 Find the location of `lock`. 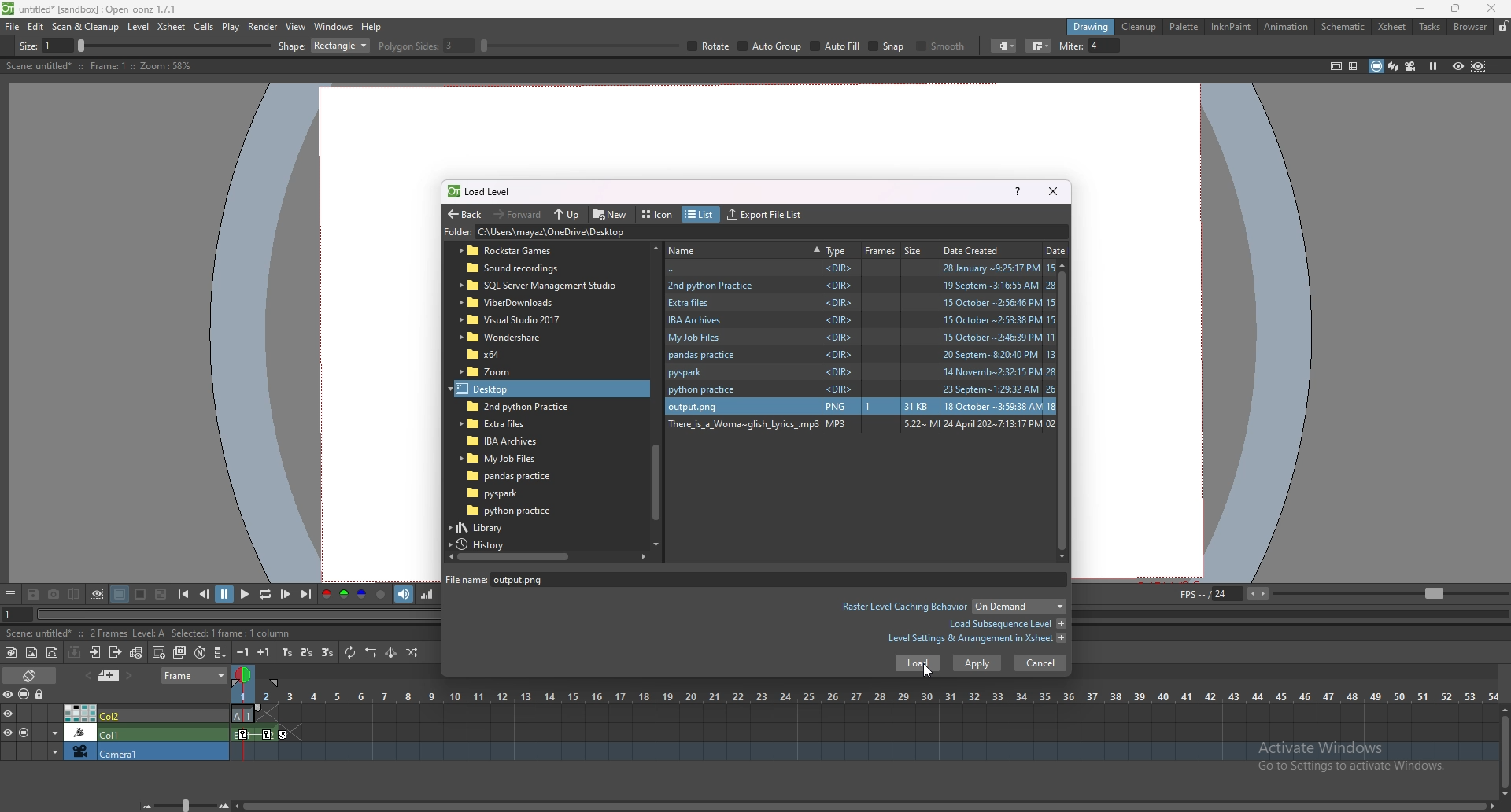

lock is located at coordinates (1503, 26).